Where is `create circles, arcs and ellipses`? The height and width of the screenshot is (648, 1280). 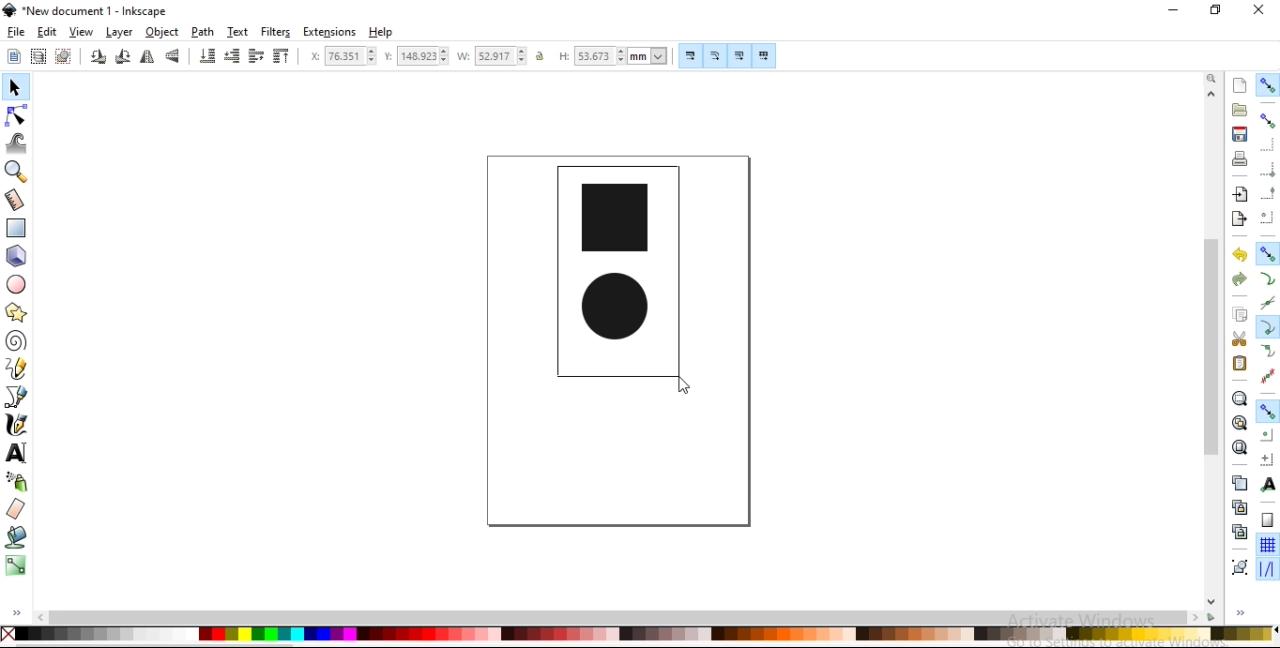 create circles, arcs and ellipses is located at coordinates (18, 285).